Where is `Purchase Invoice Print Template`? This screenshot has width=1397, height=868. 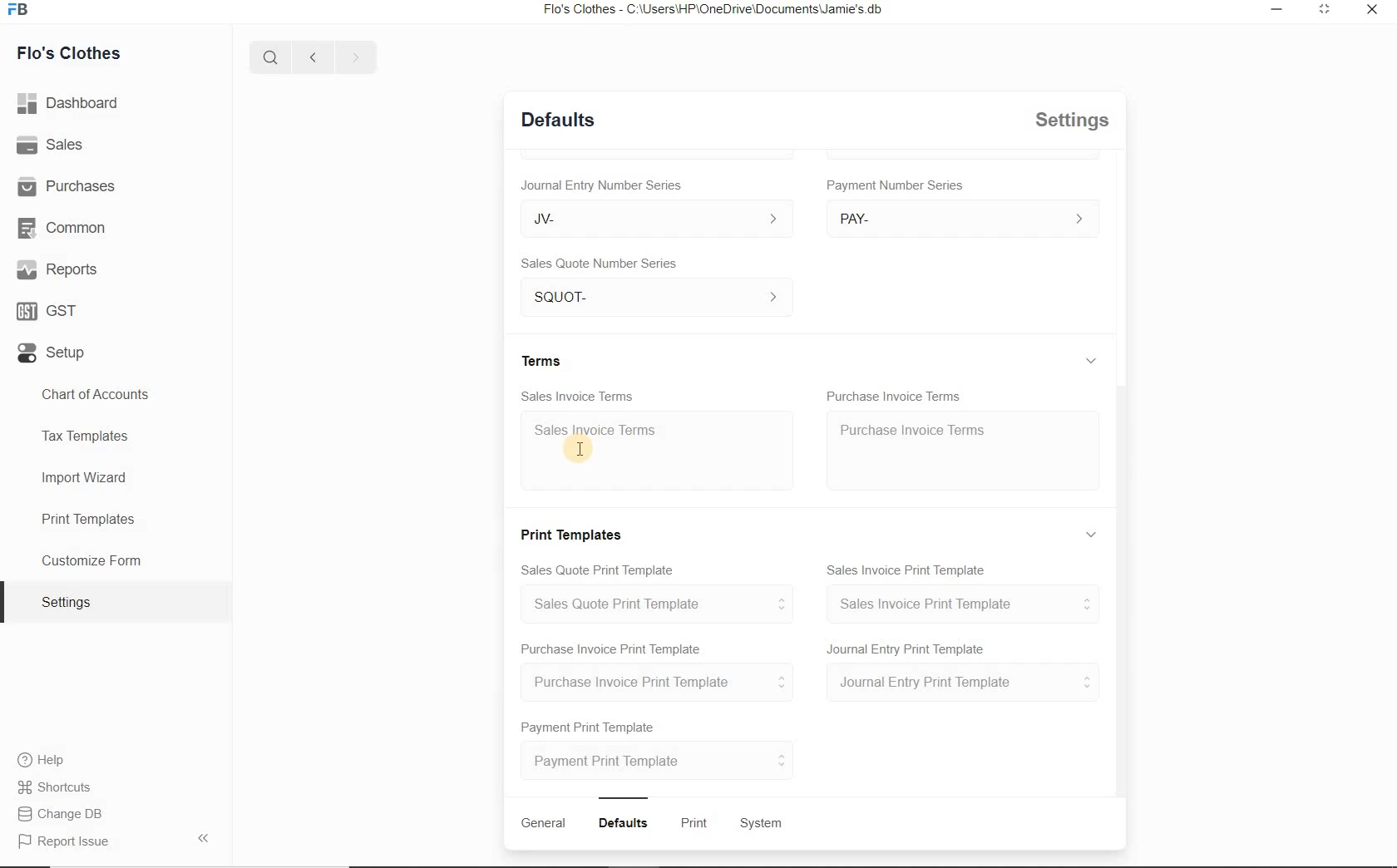 Purchase Invoice Print Template is located at coordinates (663, 683).